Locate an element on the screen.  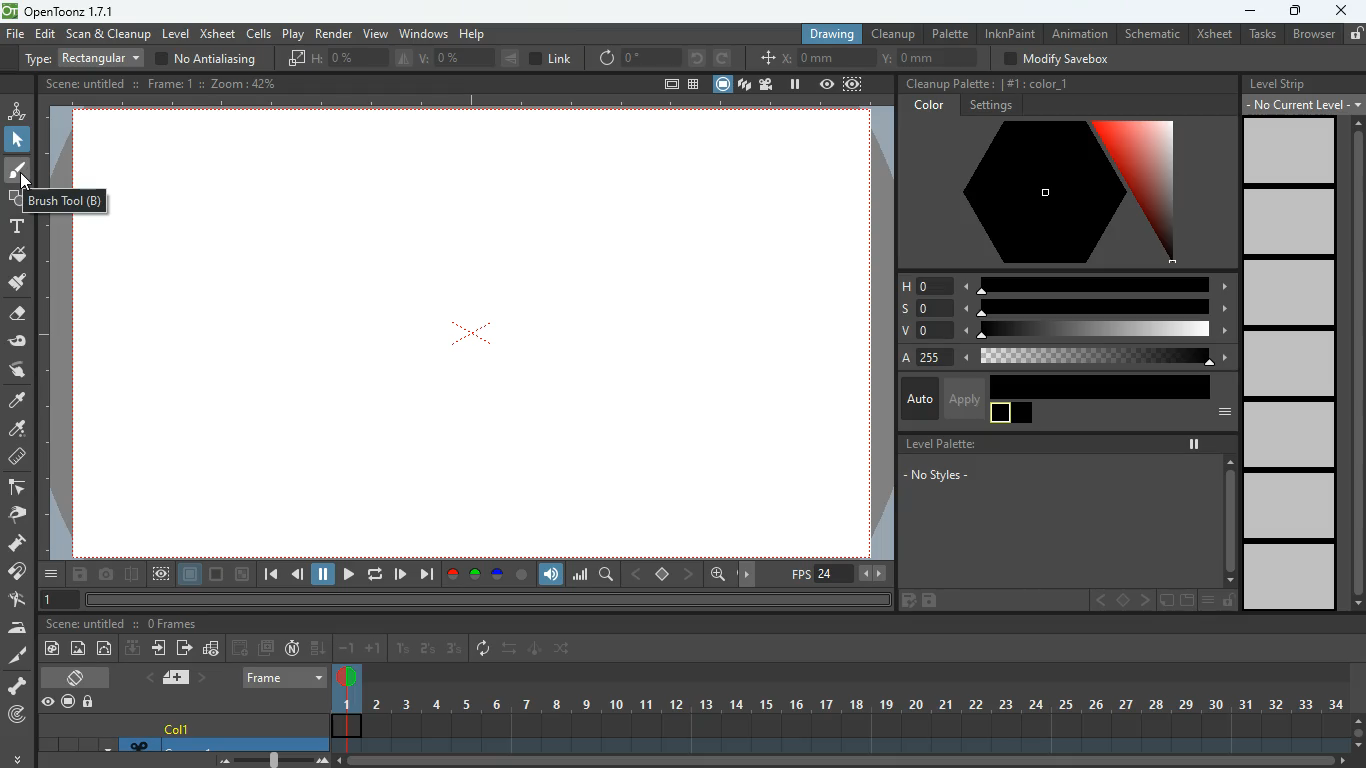
image is located at coordinates (276, 759).